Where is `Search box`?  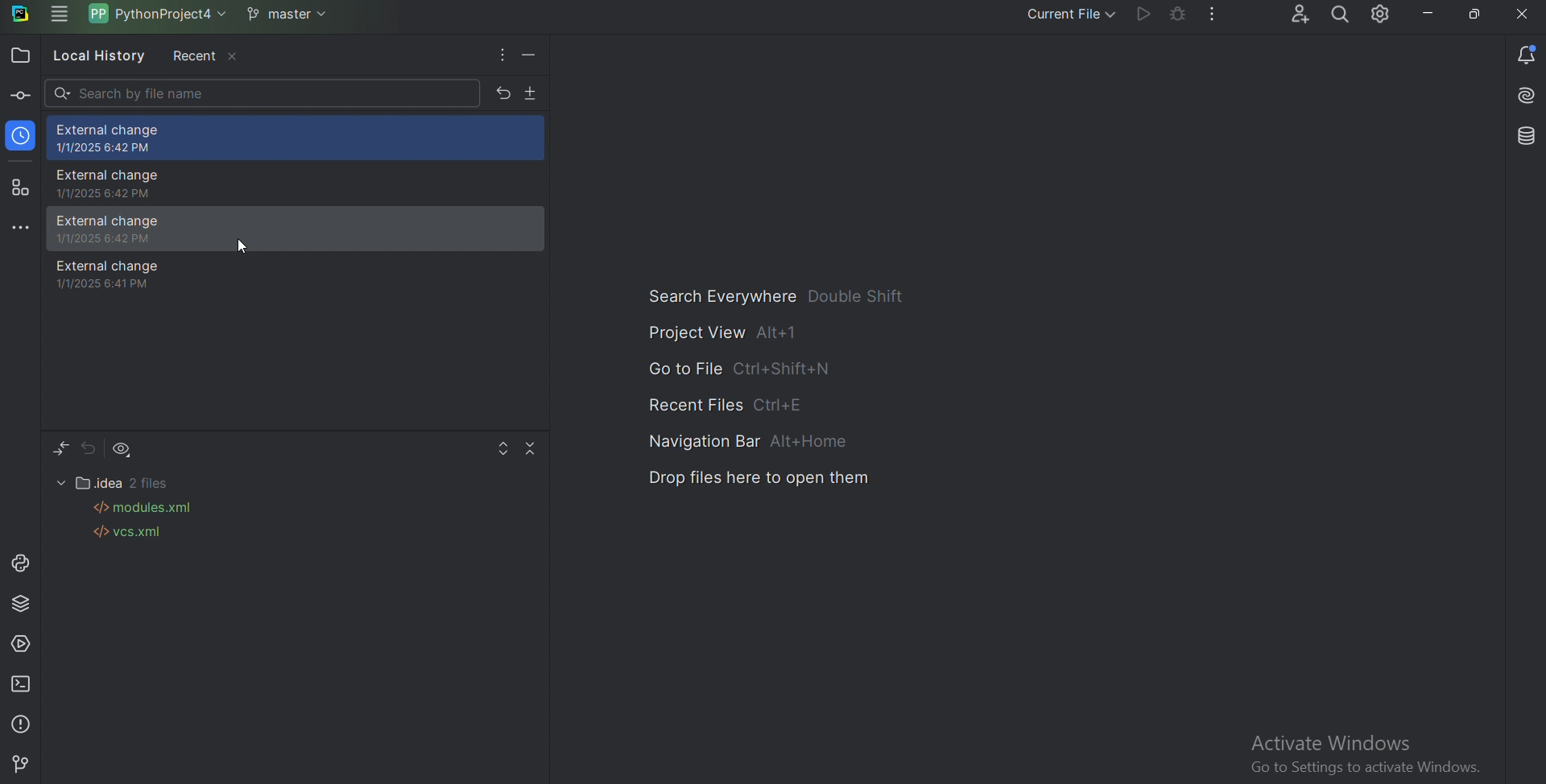 Search box is located at coordinates (262, 93).